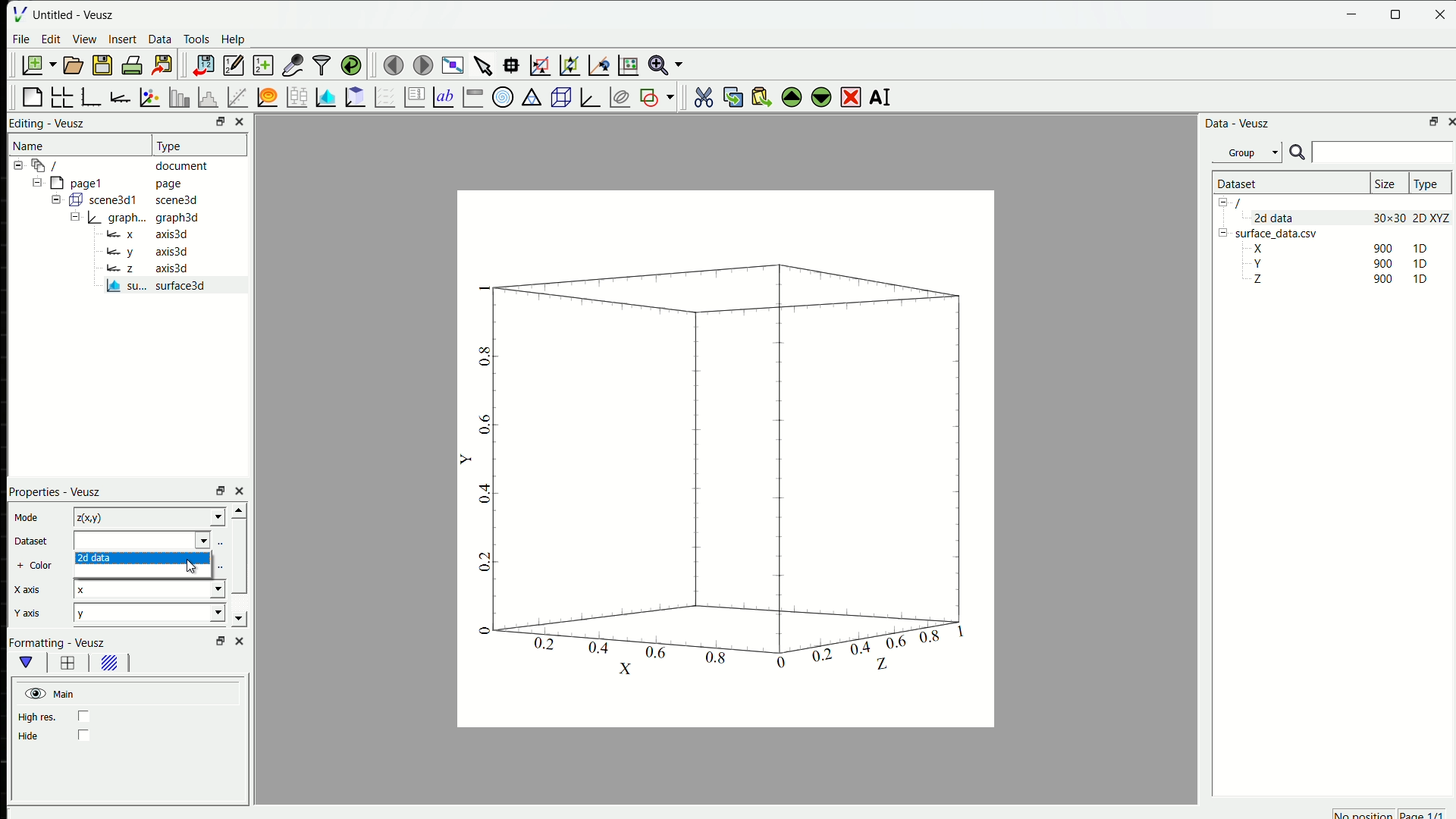 The width and height of the screenshot is (1456, 819). Describe the element at coordinates (704, 96) in the screenshot. I see `cut the selected widget` at that location.